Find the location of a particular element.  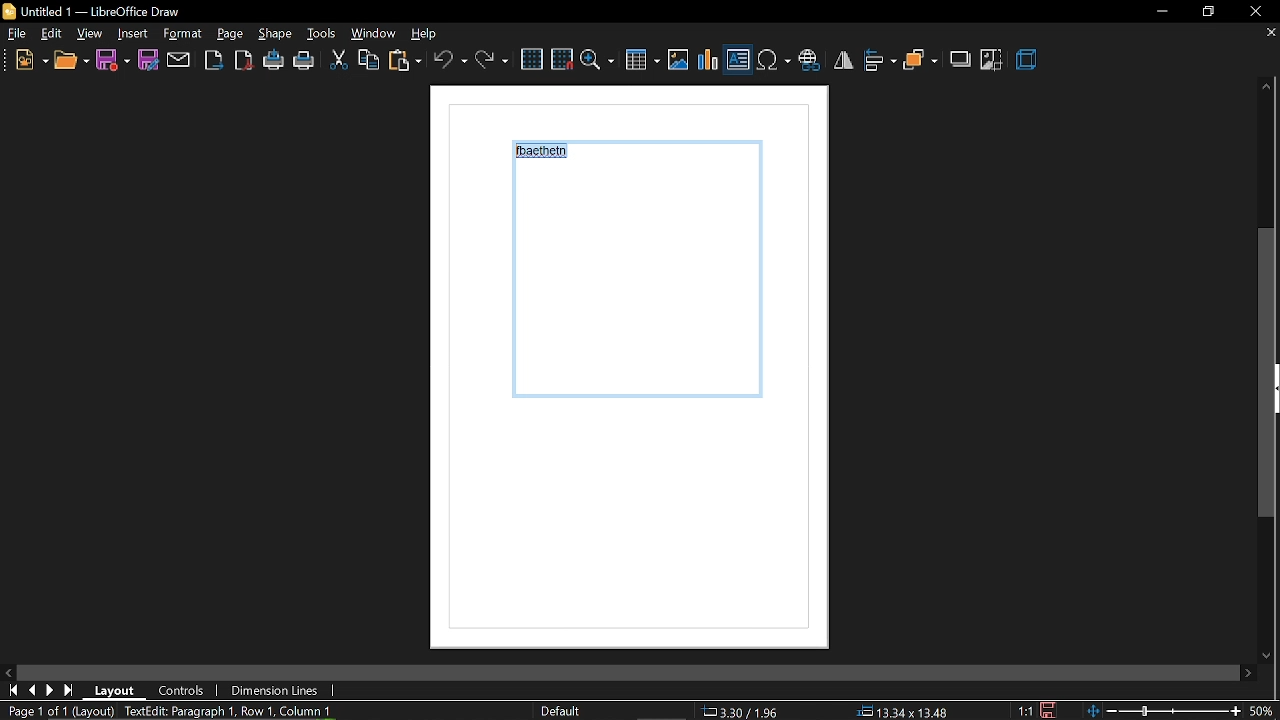

Insert symbol is located at coordinates (773, 60).